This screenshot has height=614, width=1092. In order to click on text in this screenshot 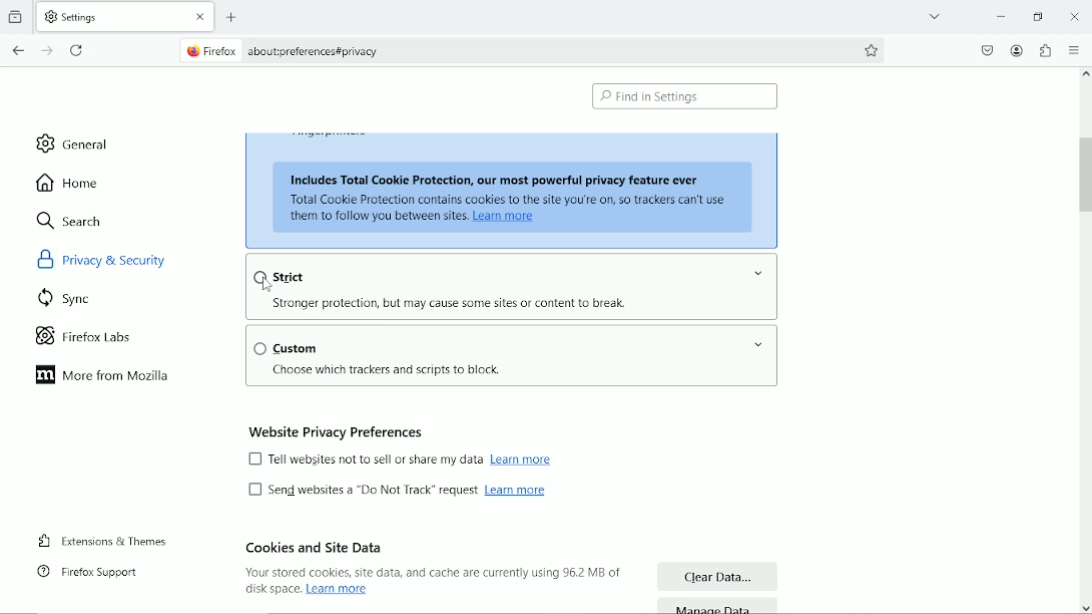, I will do `click(452, 304)`.